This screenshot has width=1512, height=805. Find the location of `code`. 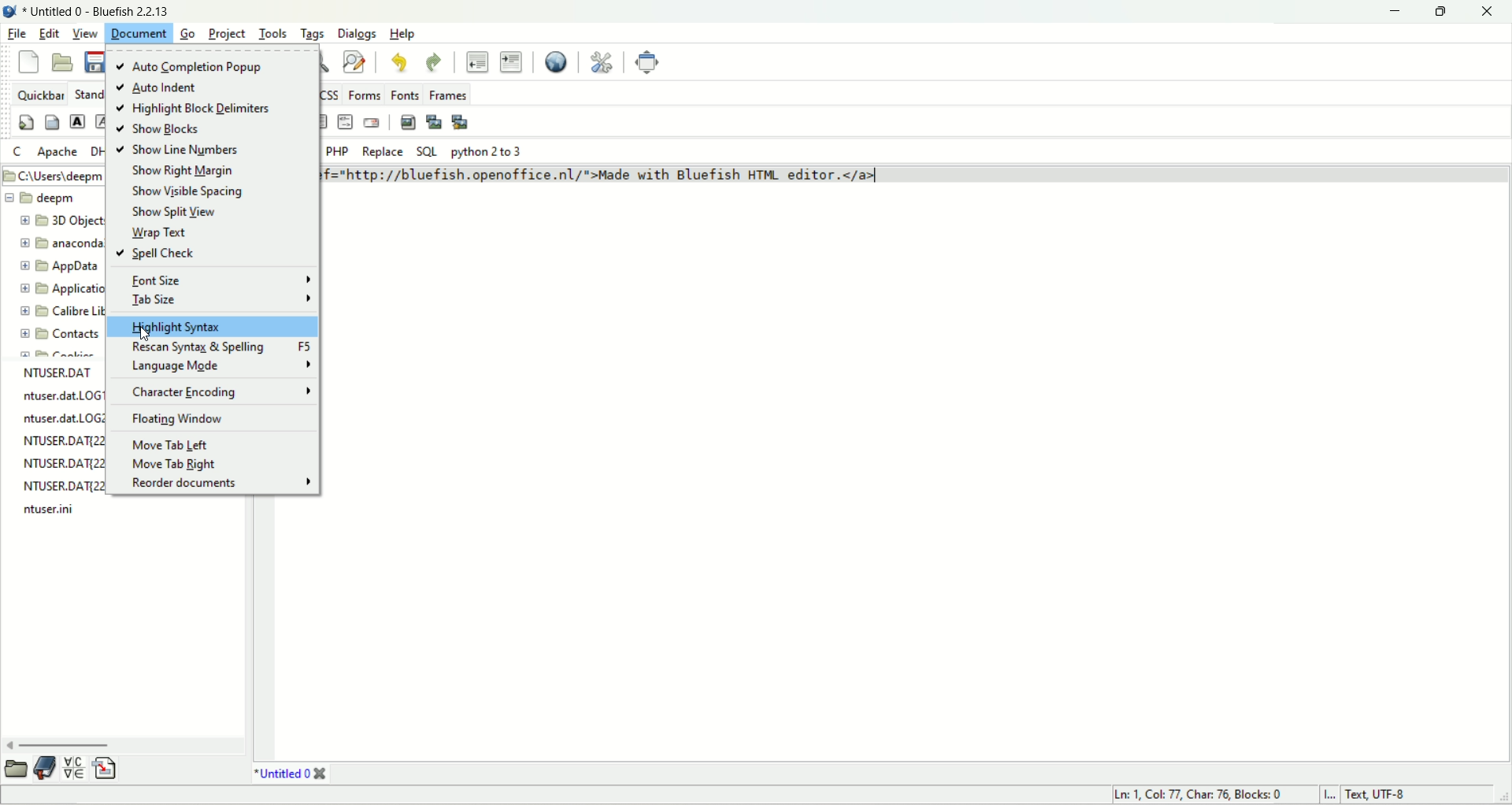

code is located at coordinates (681, 176).